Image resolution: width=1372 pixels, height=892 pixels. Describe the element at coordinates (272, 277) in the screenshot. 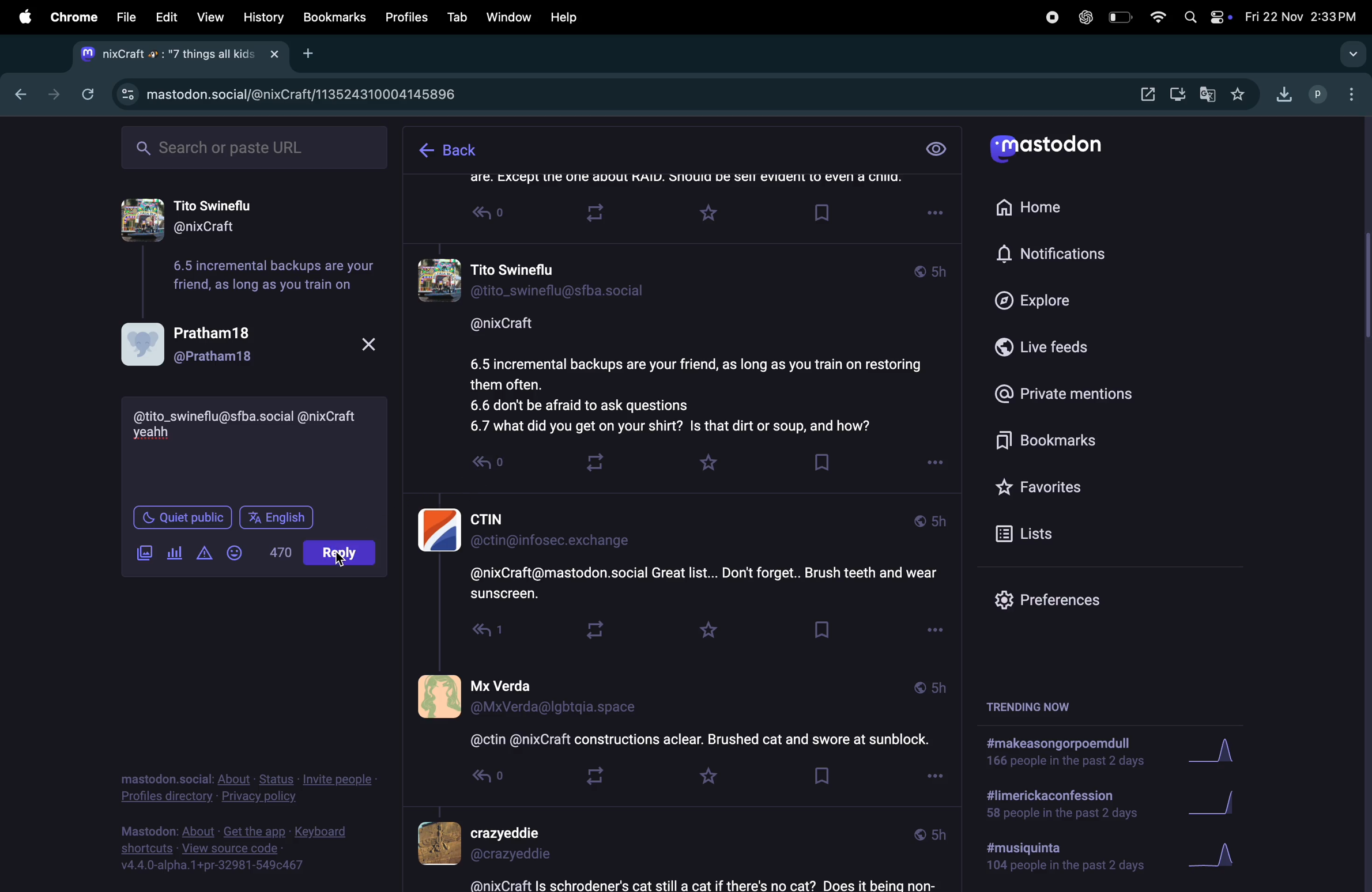

I see `6.5 incremental backups are your
friend, as long as you train on` at that location.